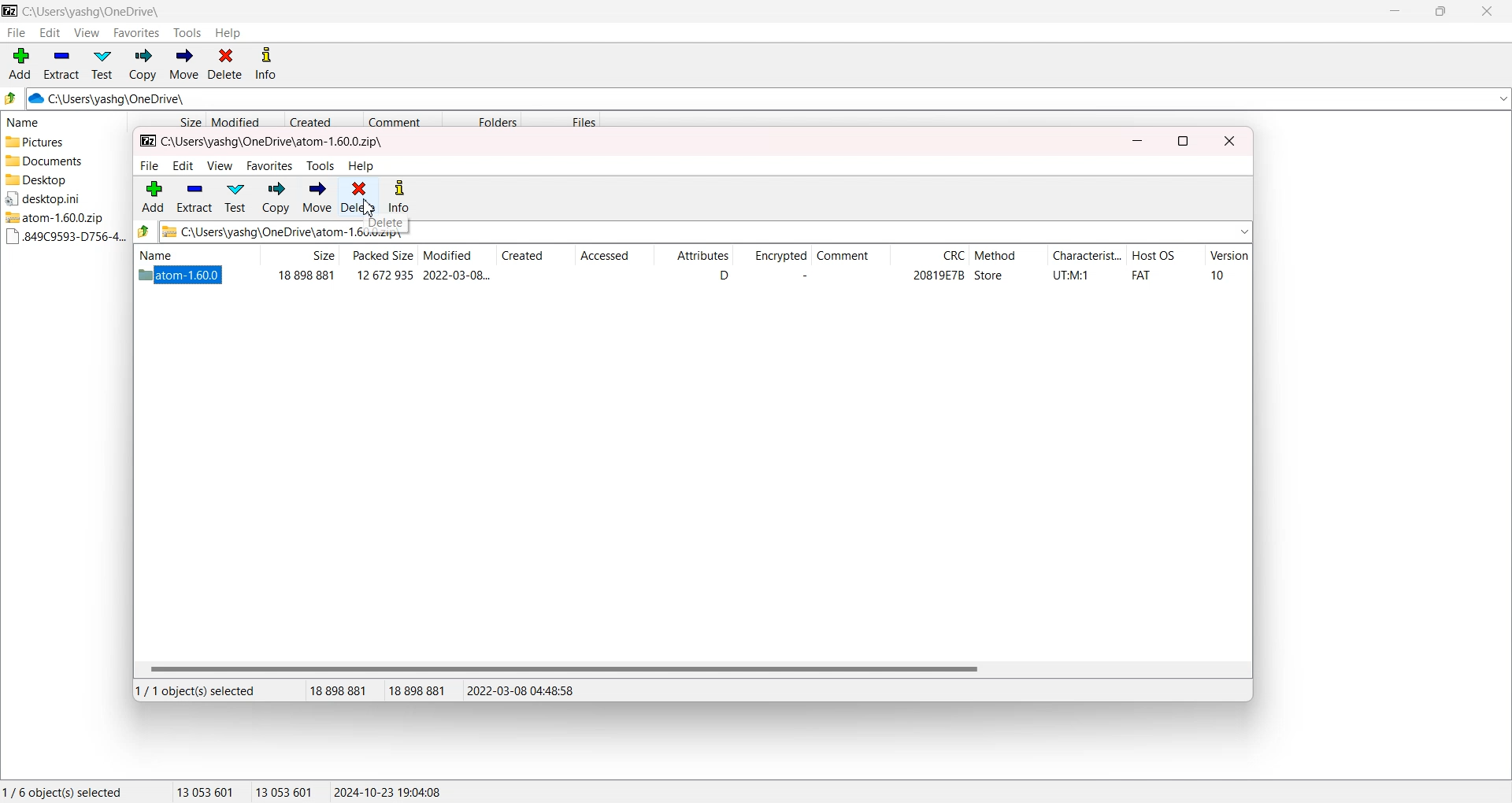 This screenshot has width=1512, height=803. What do you see at coordinates (1165, 257) in the screenshot?
I see `Host OS` at bounding box center [1165, 257].